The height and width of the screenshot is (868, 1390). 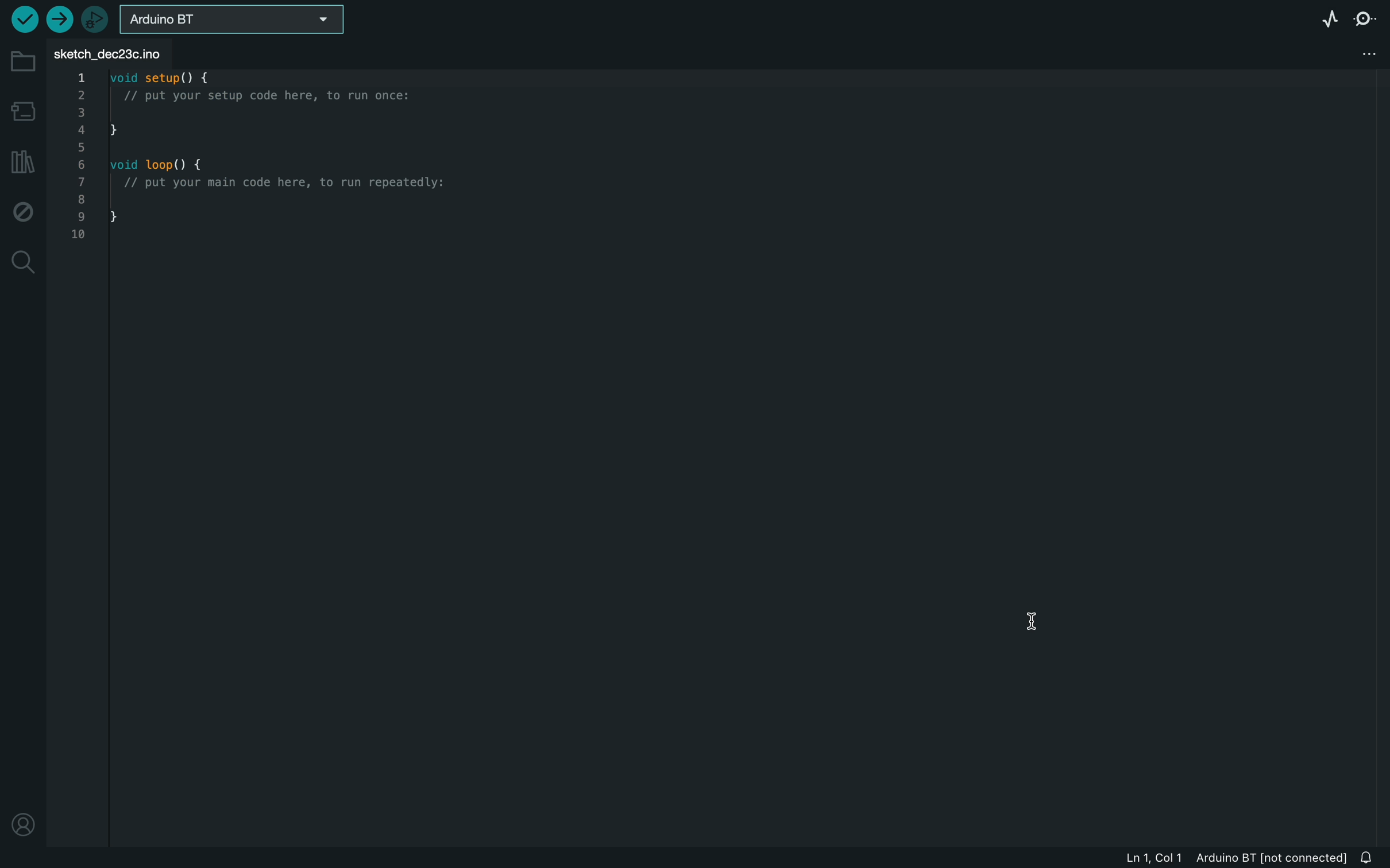 I want to click on upload, so click(x=64, y=18).